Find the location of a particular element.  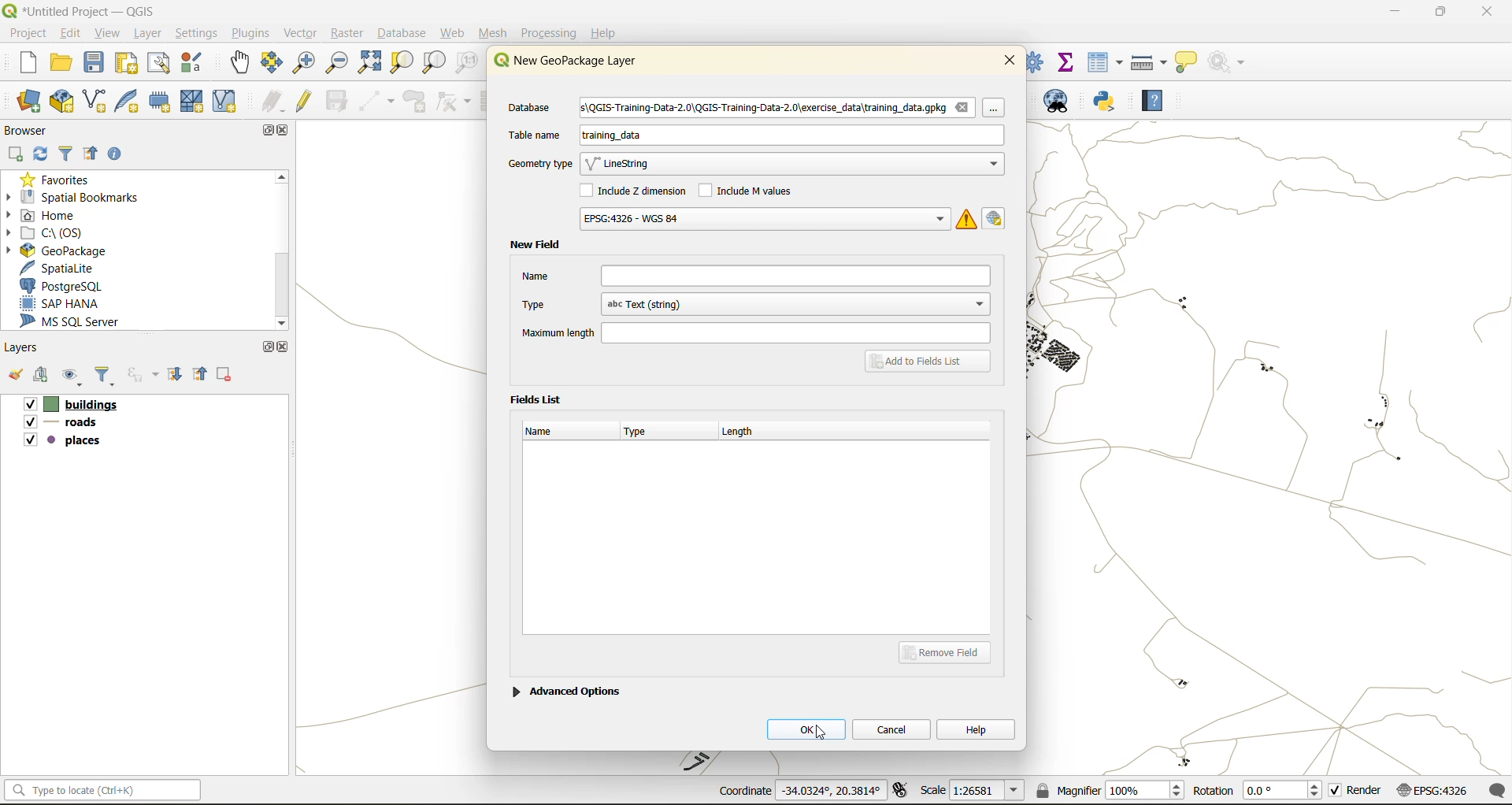

vector is located at coordinates (300, 33).